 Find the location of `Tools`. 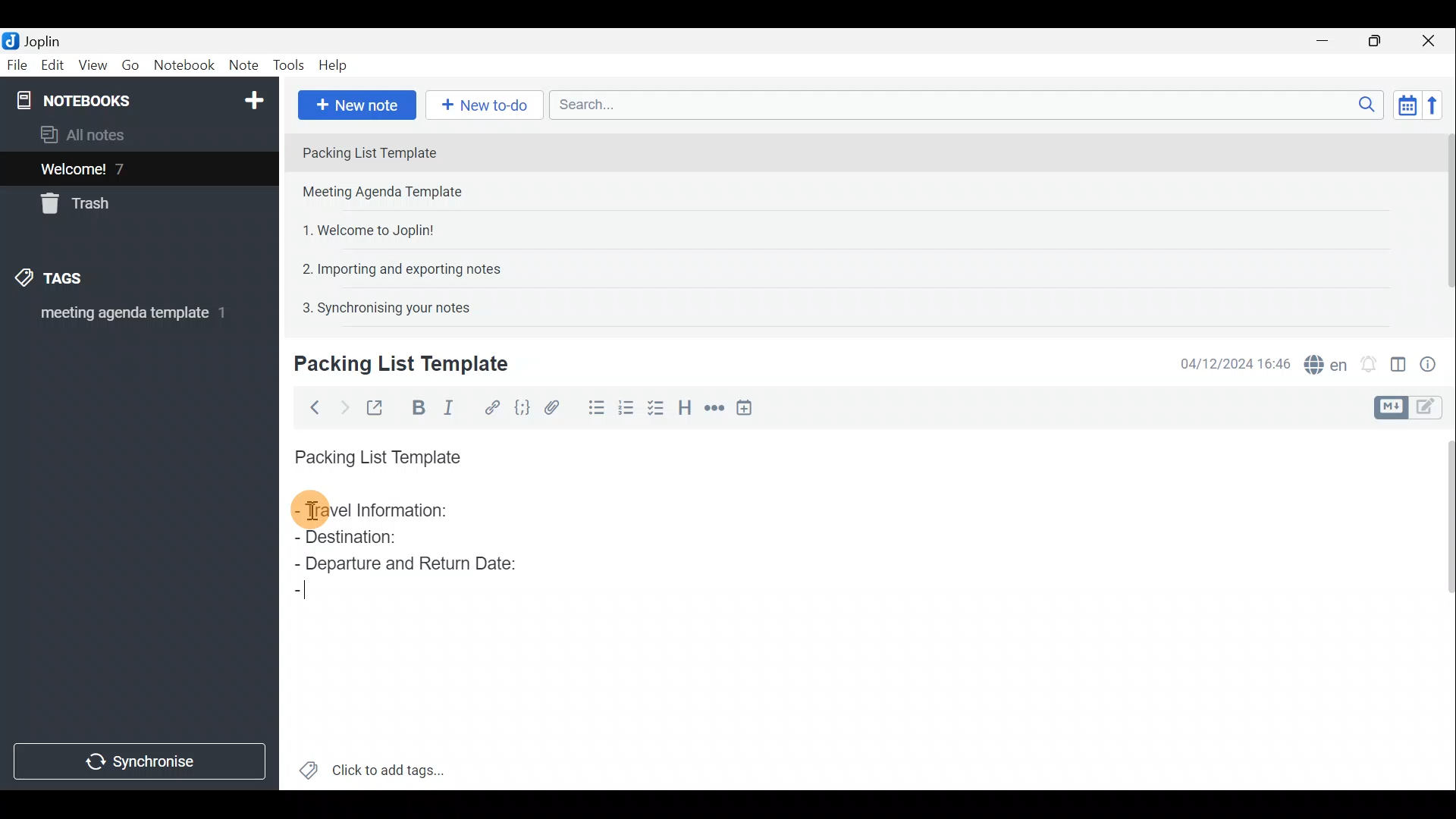

Tools is located at coordinates (290, 66).